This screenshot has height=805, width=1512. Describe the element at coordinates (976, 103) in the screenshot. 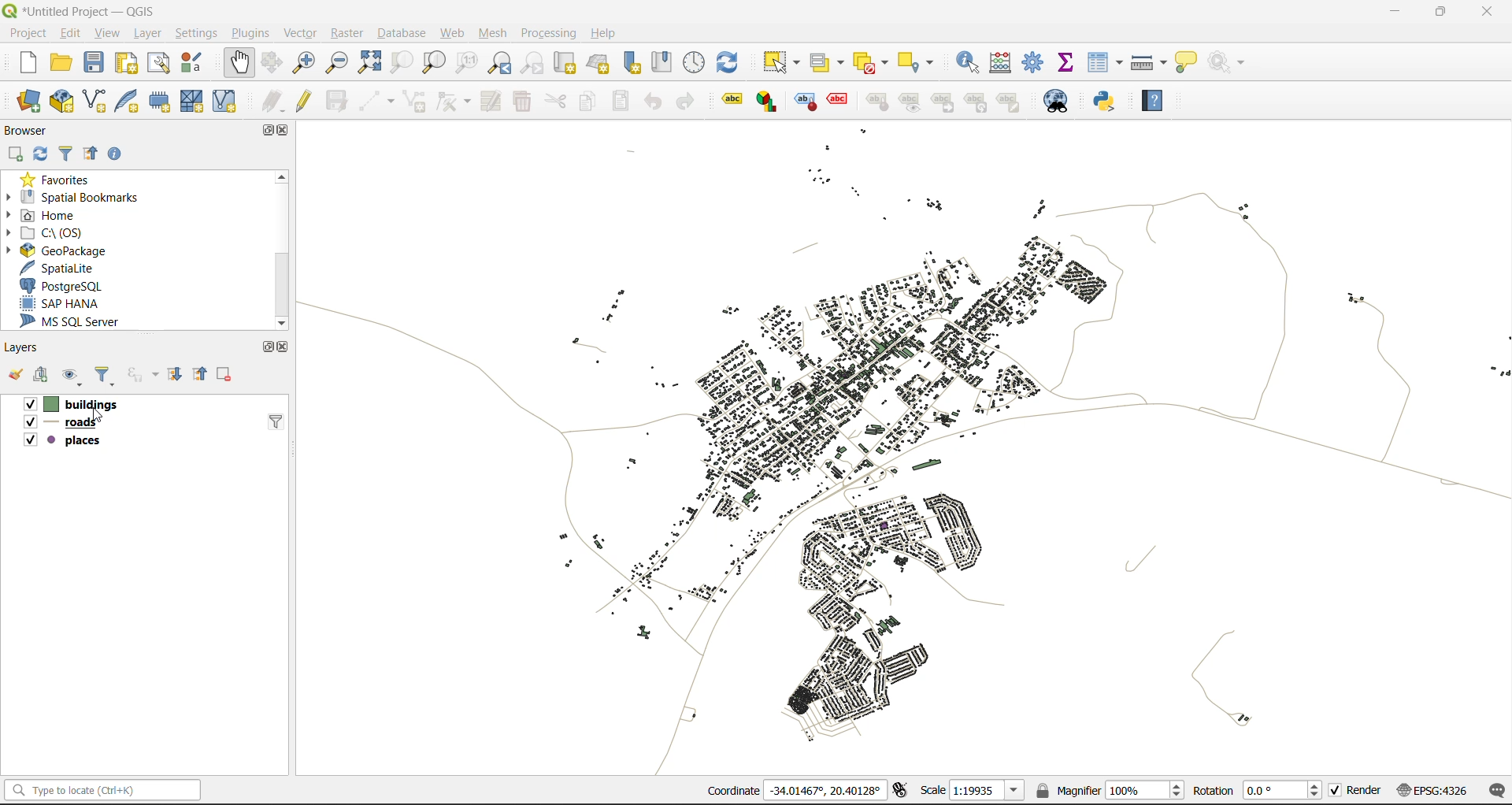

I see `rotate a label` at that location.